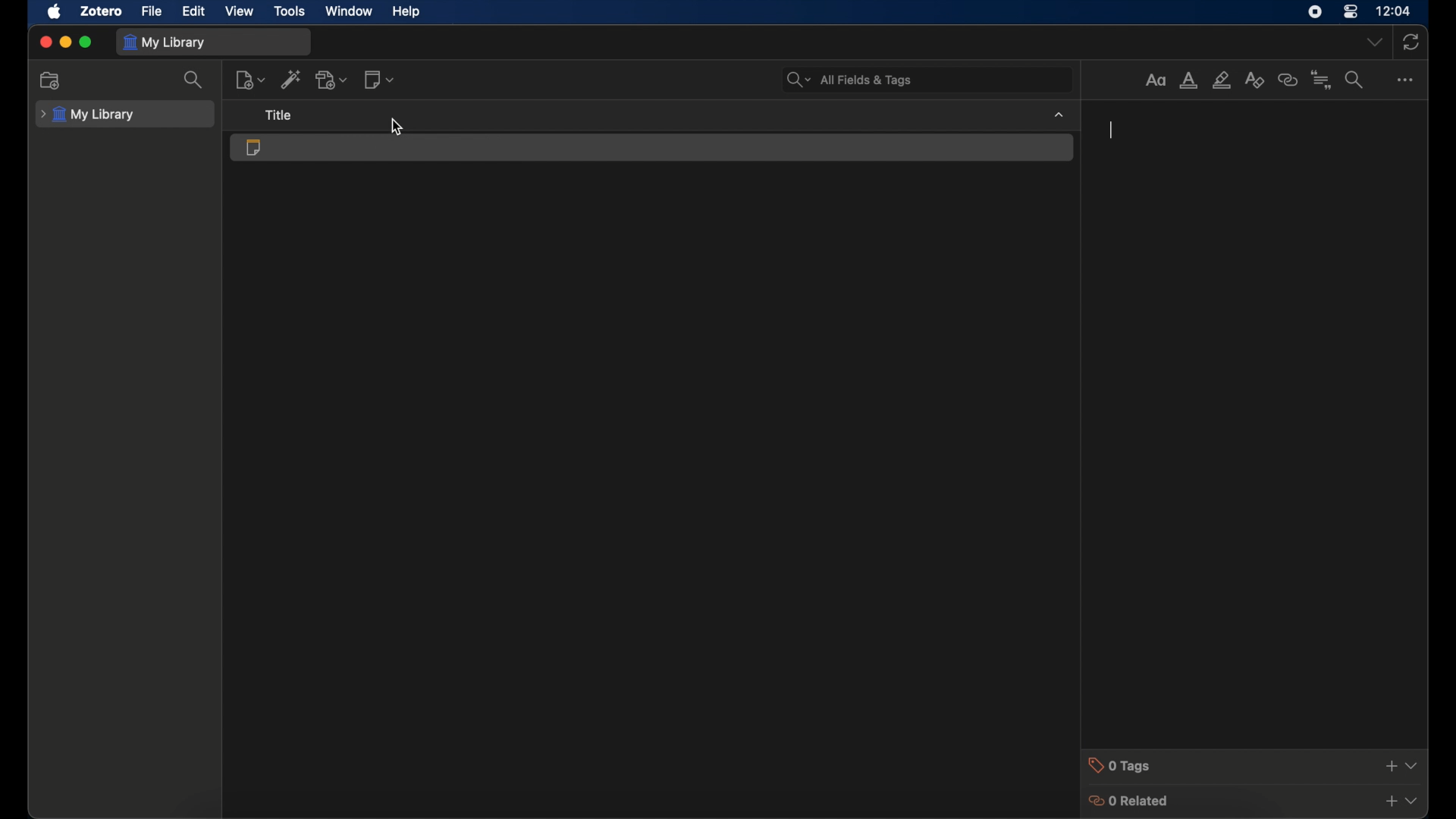 This screenshot has width=1456, height=819. What do you see at coordinates (396, 127) in the screenshot?
I see `cursor` at bounding box center [396, 127].